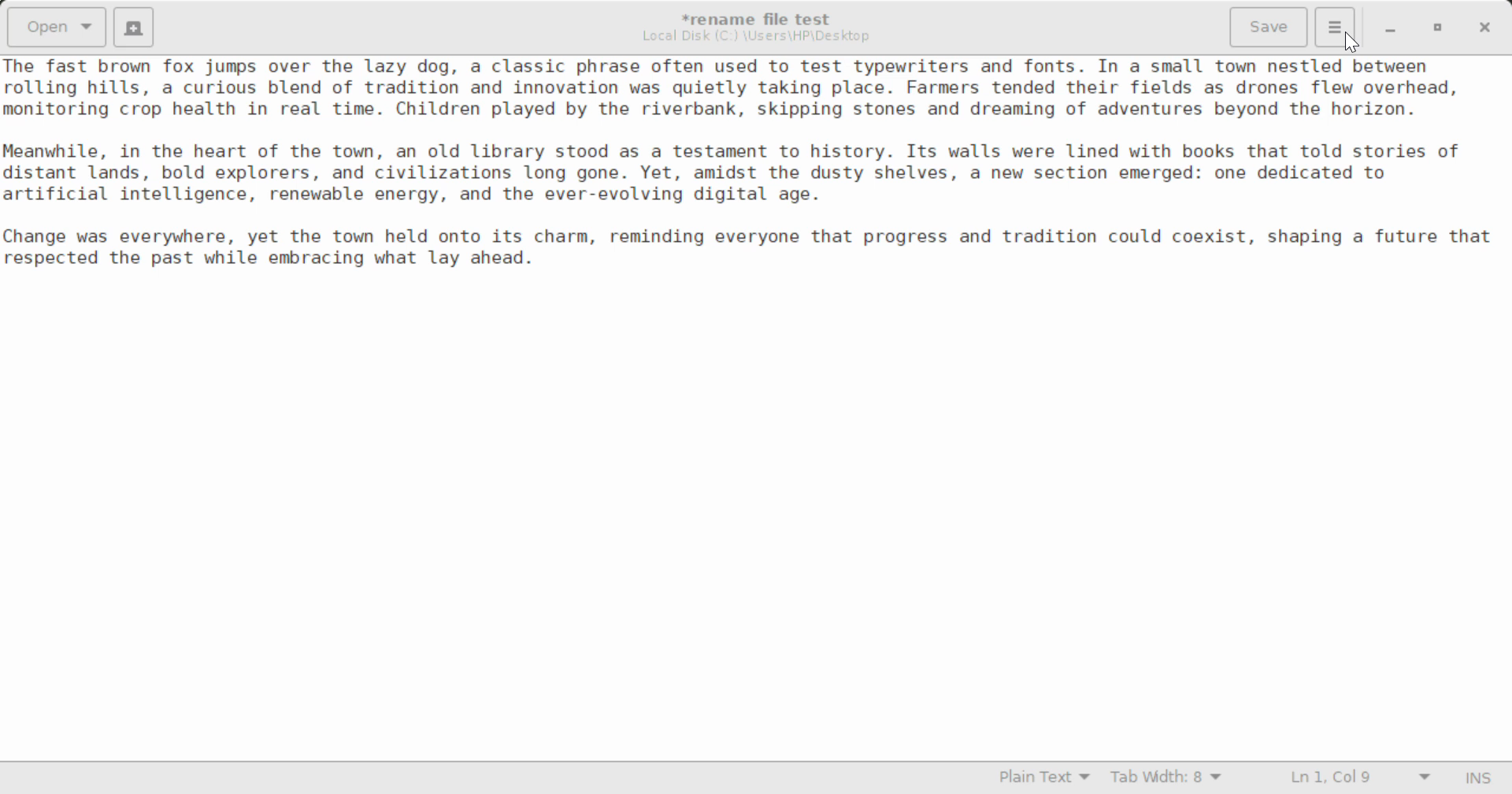 The width and height of the screenshot is (1512, 794). Describe the element at coordinates (1166, 779) in the screenshot. I see `Tab Width 8` at that location.